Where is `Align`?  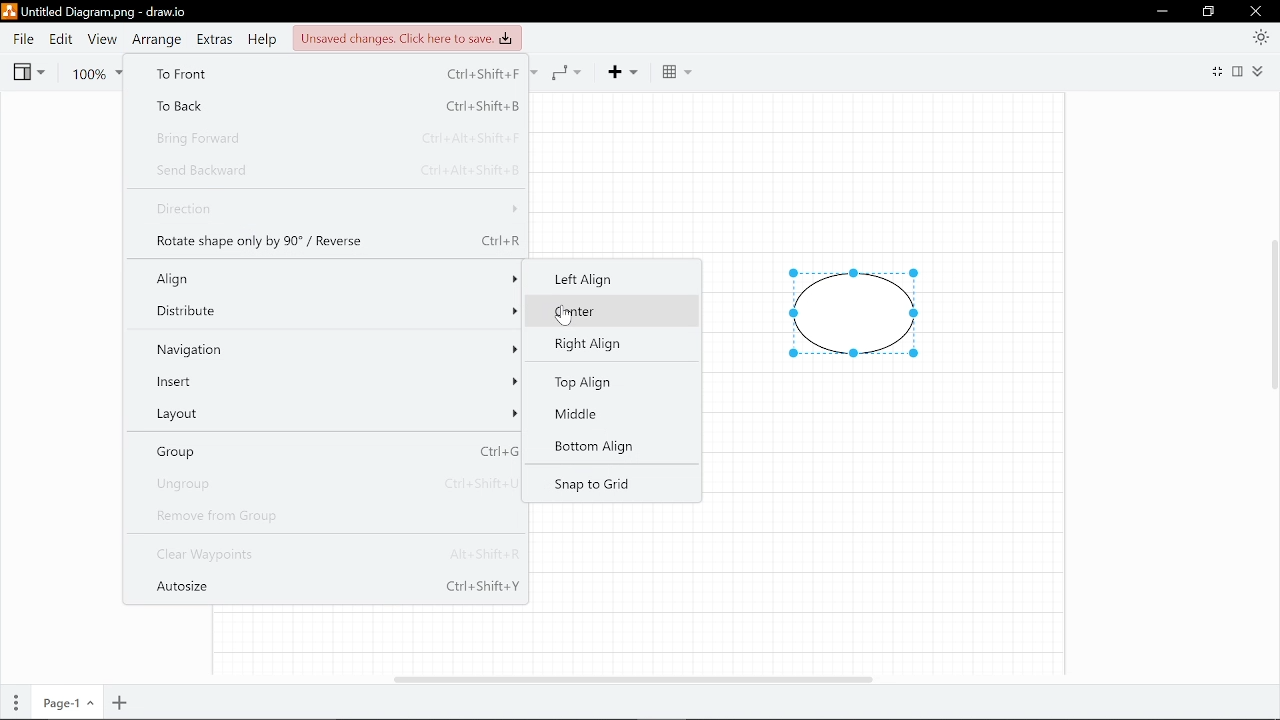 Align is located at coordinates (331, 278).